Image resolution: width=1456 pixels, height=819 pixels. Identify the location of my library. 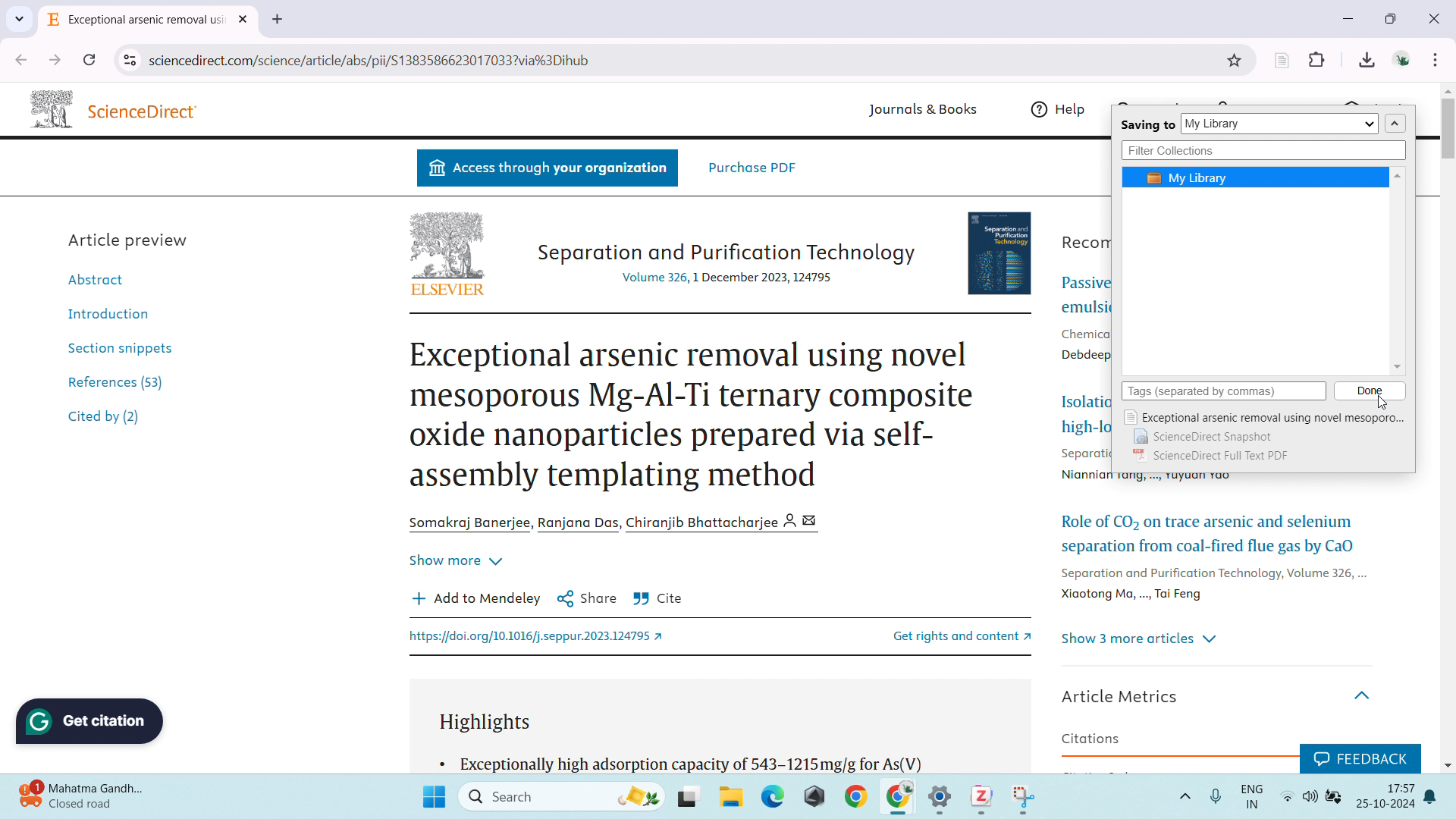
(1255, 177).